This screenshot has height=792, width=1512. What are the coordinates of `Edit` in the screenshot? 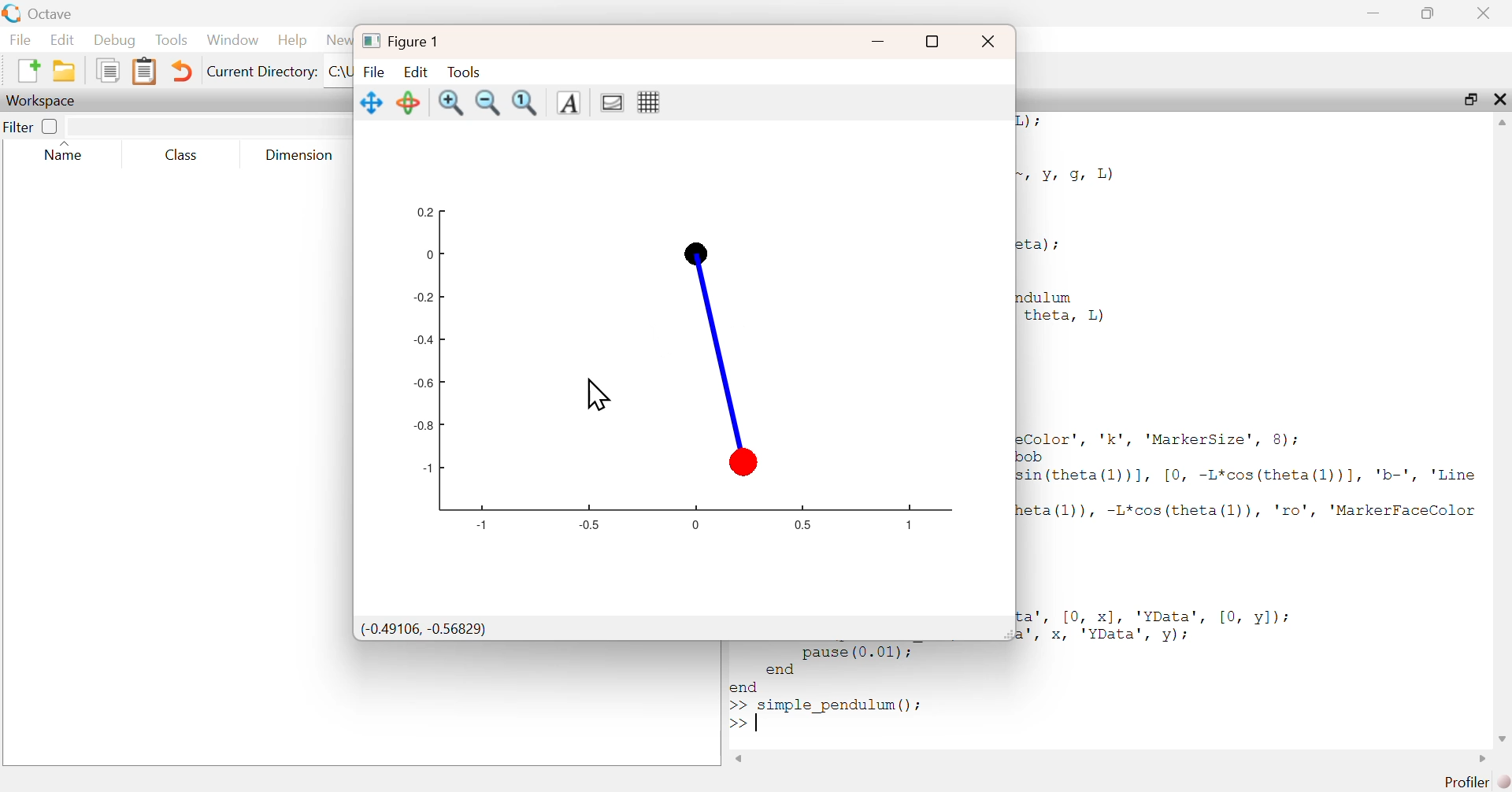 It's located at (416, 72).